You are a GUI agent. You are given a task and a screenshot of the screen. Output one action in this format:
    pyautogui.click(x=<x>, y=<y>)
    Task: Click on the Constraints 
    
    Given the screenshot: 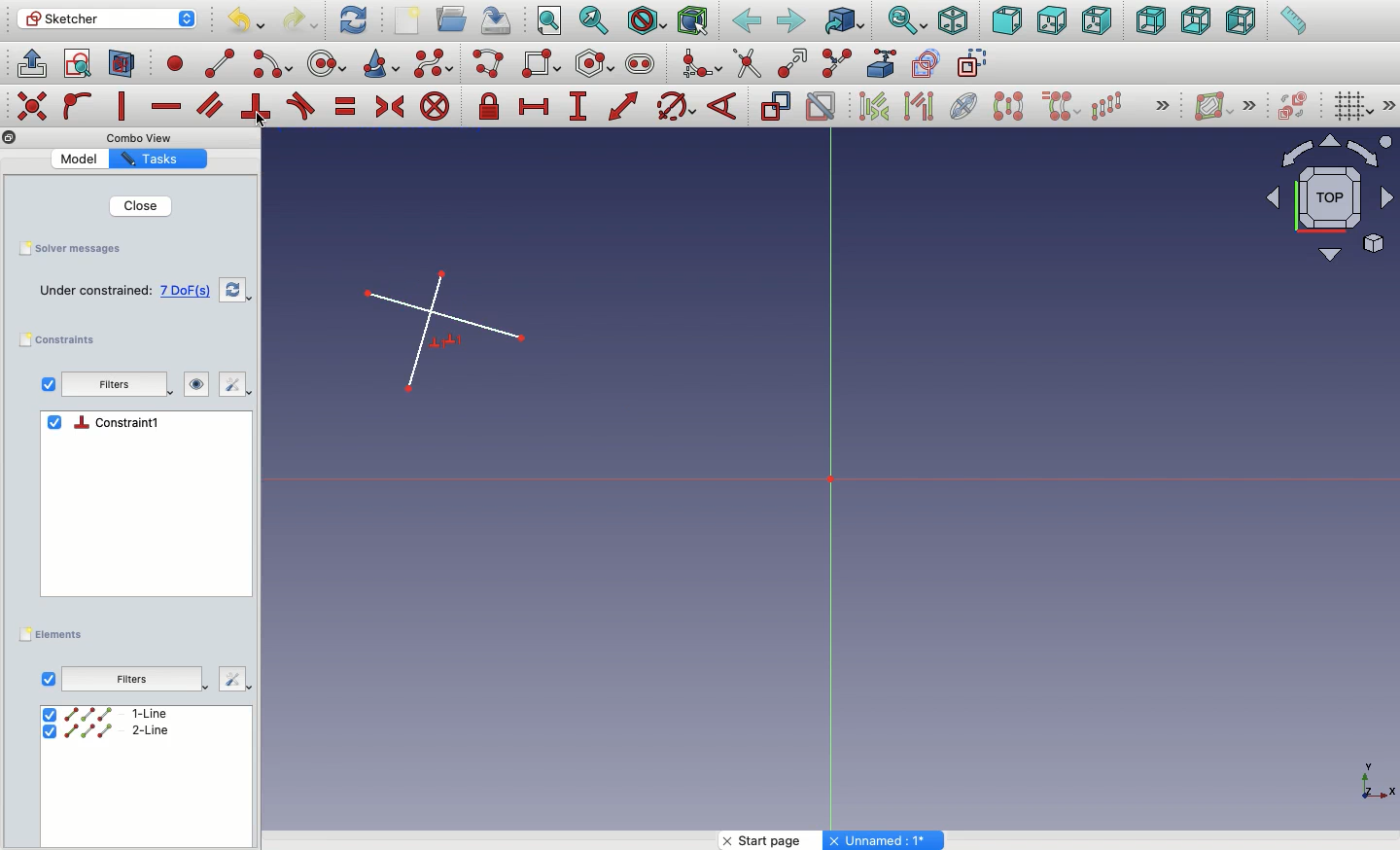 What is the action you would take?
    pyautogui.click(x=62, y=339)
    